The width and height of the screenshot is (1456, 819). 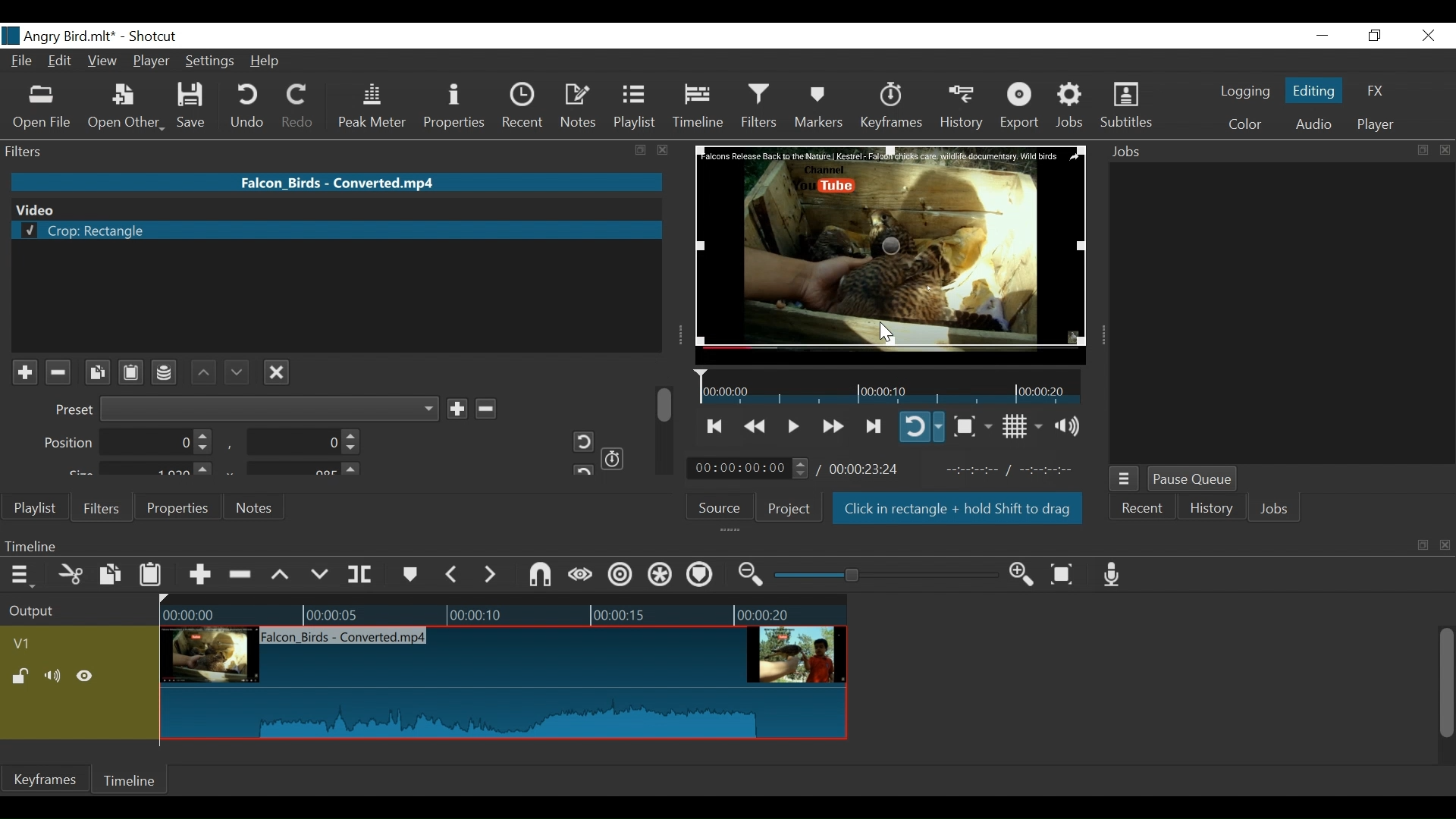 What do you see at coordinates (885, 332) in the screenshot?
I see `cursor` at bounding box center [885, 332].